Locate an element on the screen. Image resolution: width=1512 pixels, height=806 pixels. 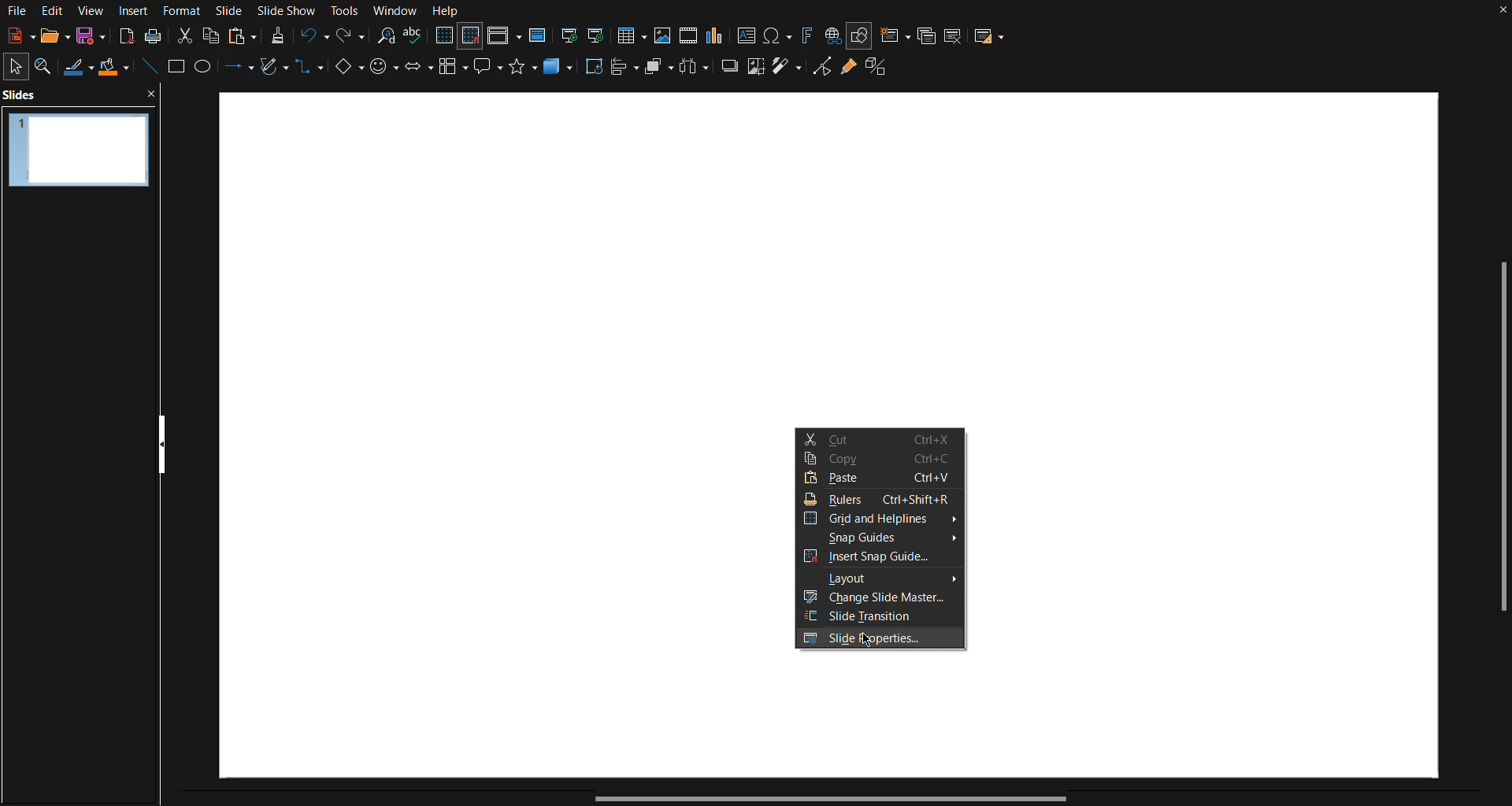
Crop images is located at coordinates (755, 72).